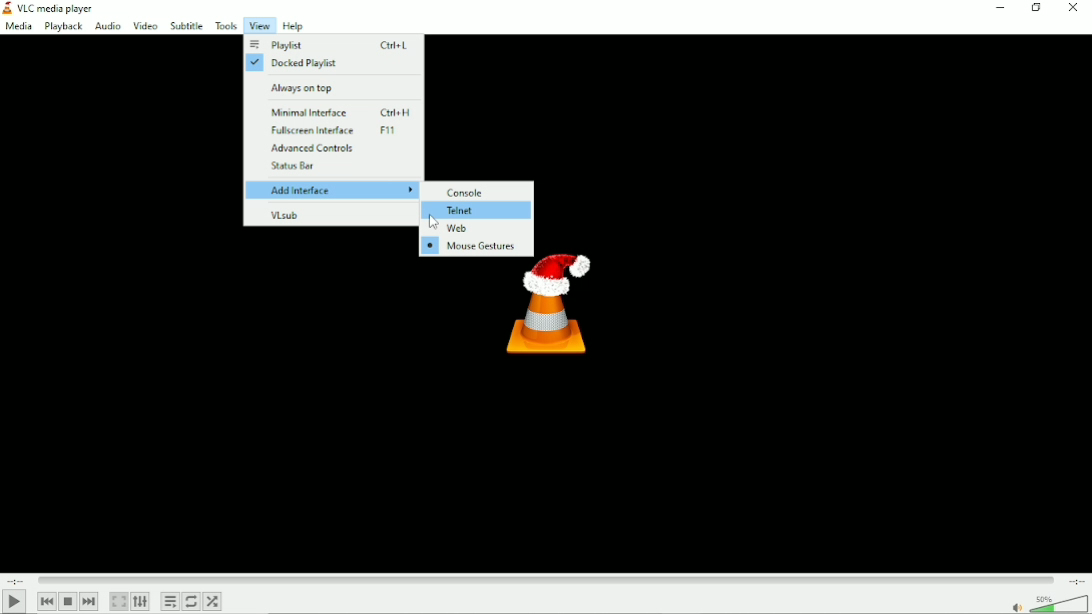  What do you see at coordinates (474, 247) in the screenshot?
I see `Mouse gestures` at bounding box center [474, 247].